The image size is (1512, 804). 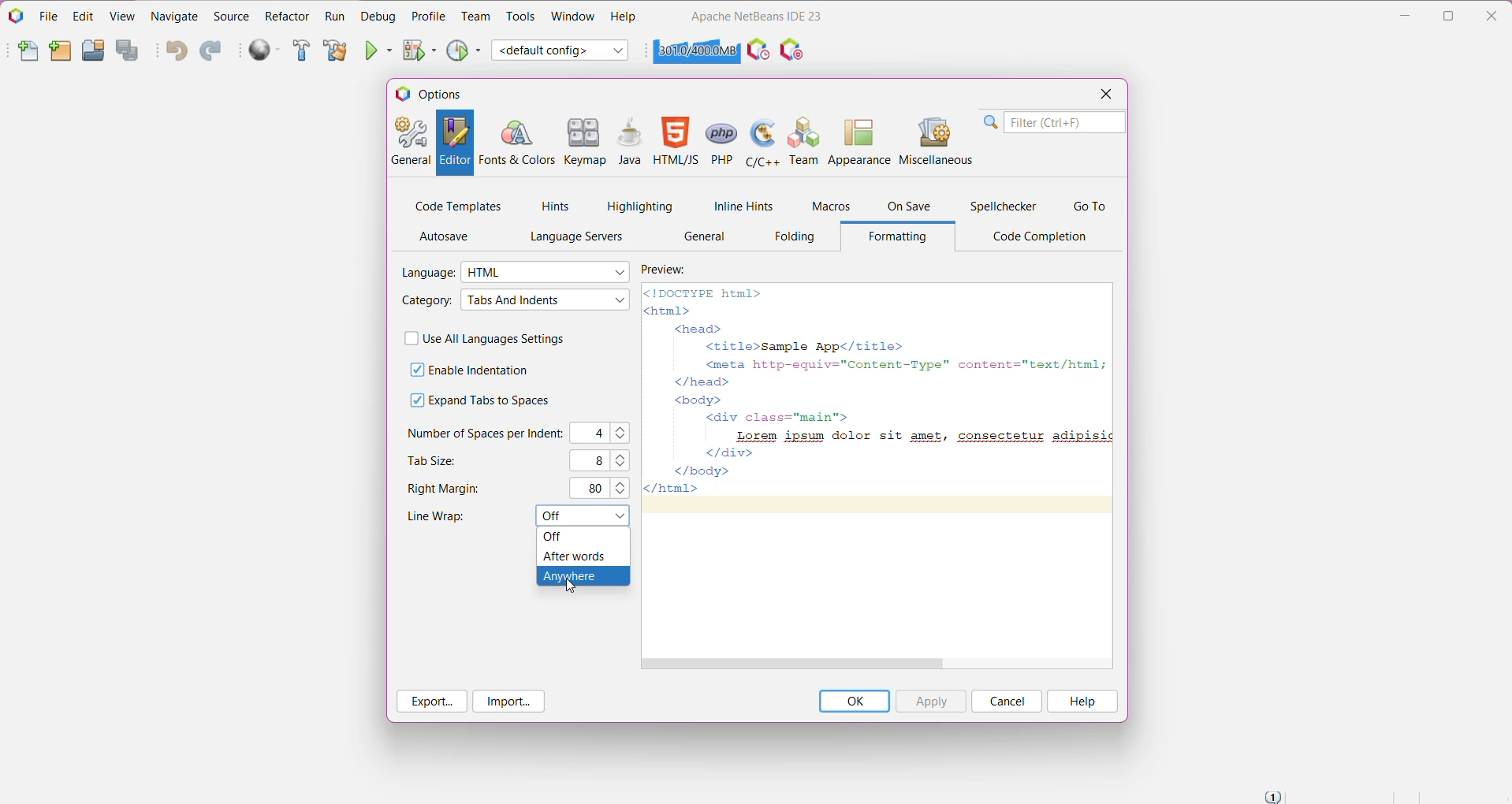 I want to click on Inline Hints, so click(x=741, y=206).